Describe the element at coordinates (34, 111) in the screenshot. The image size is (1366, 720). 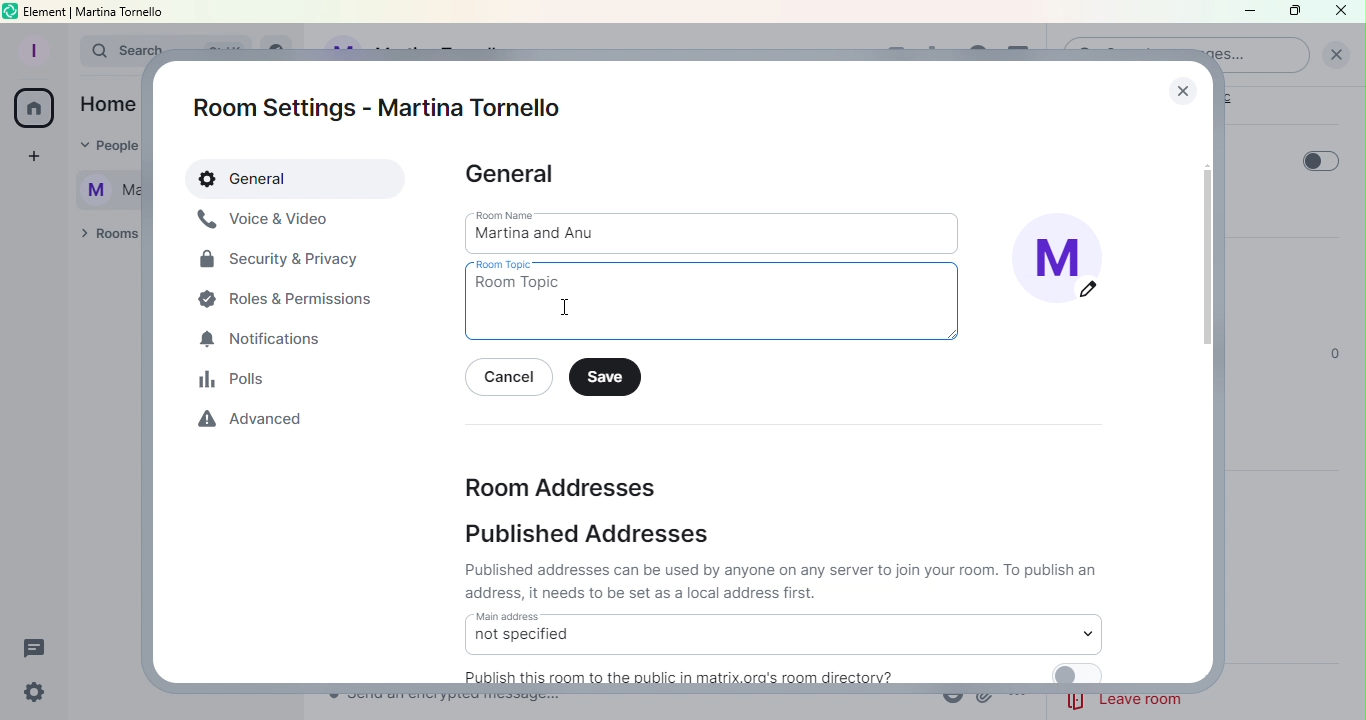
I see `Home` at that location.